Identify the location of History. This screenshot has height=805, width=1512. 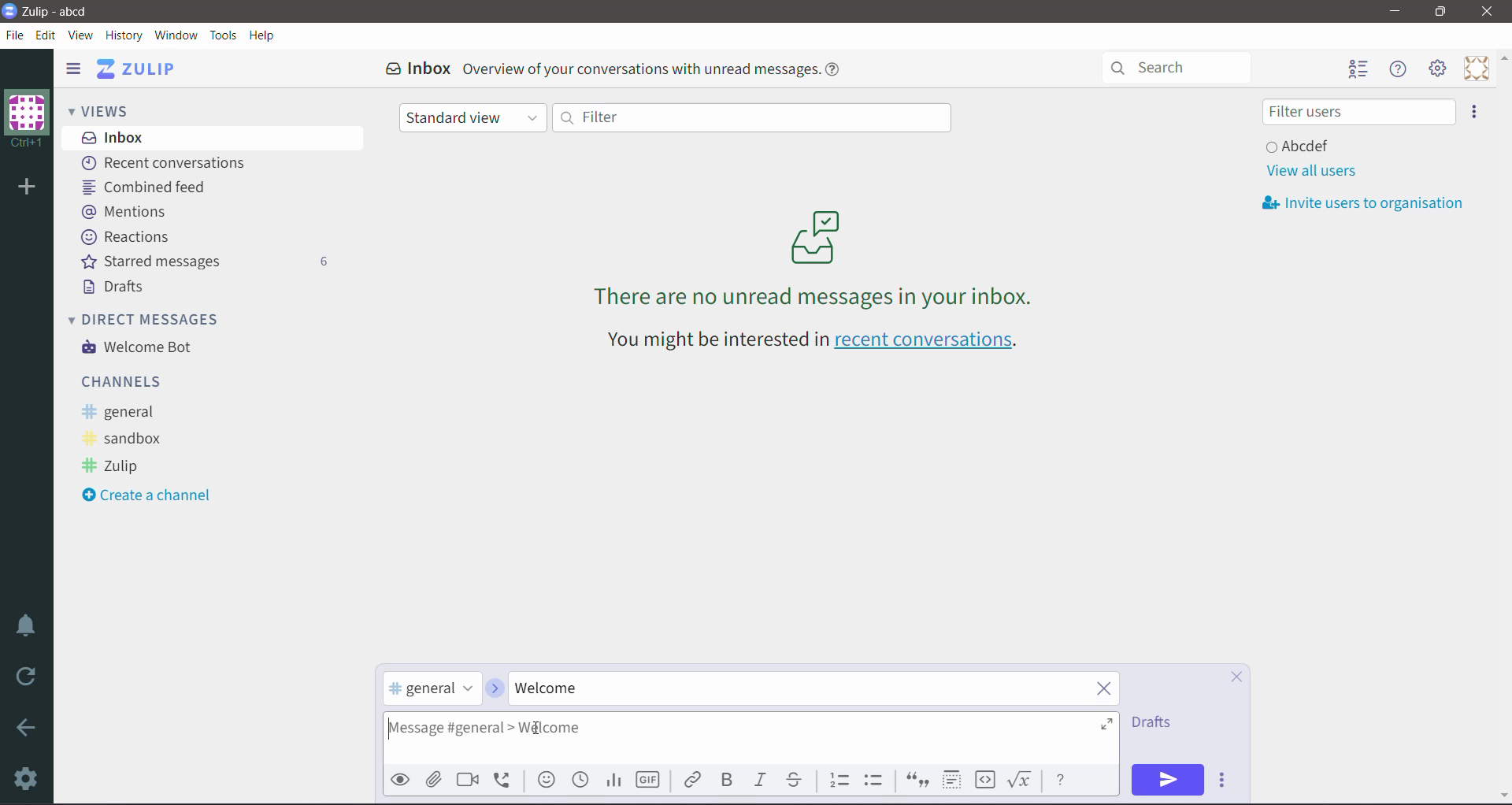
(125, 36).